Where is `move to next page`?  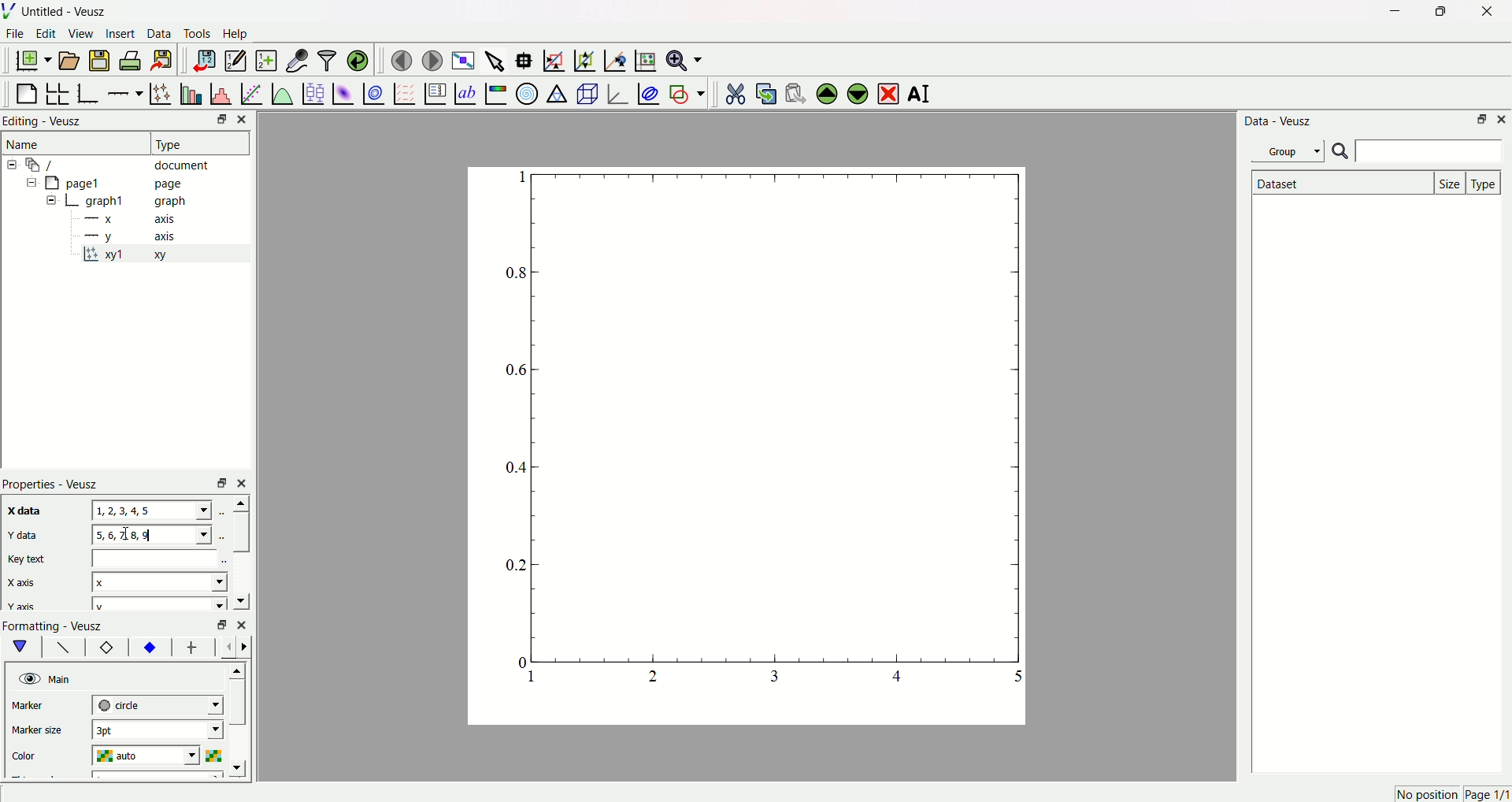 move to next page is located at coordinates (433, 58).